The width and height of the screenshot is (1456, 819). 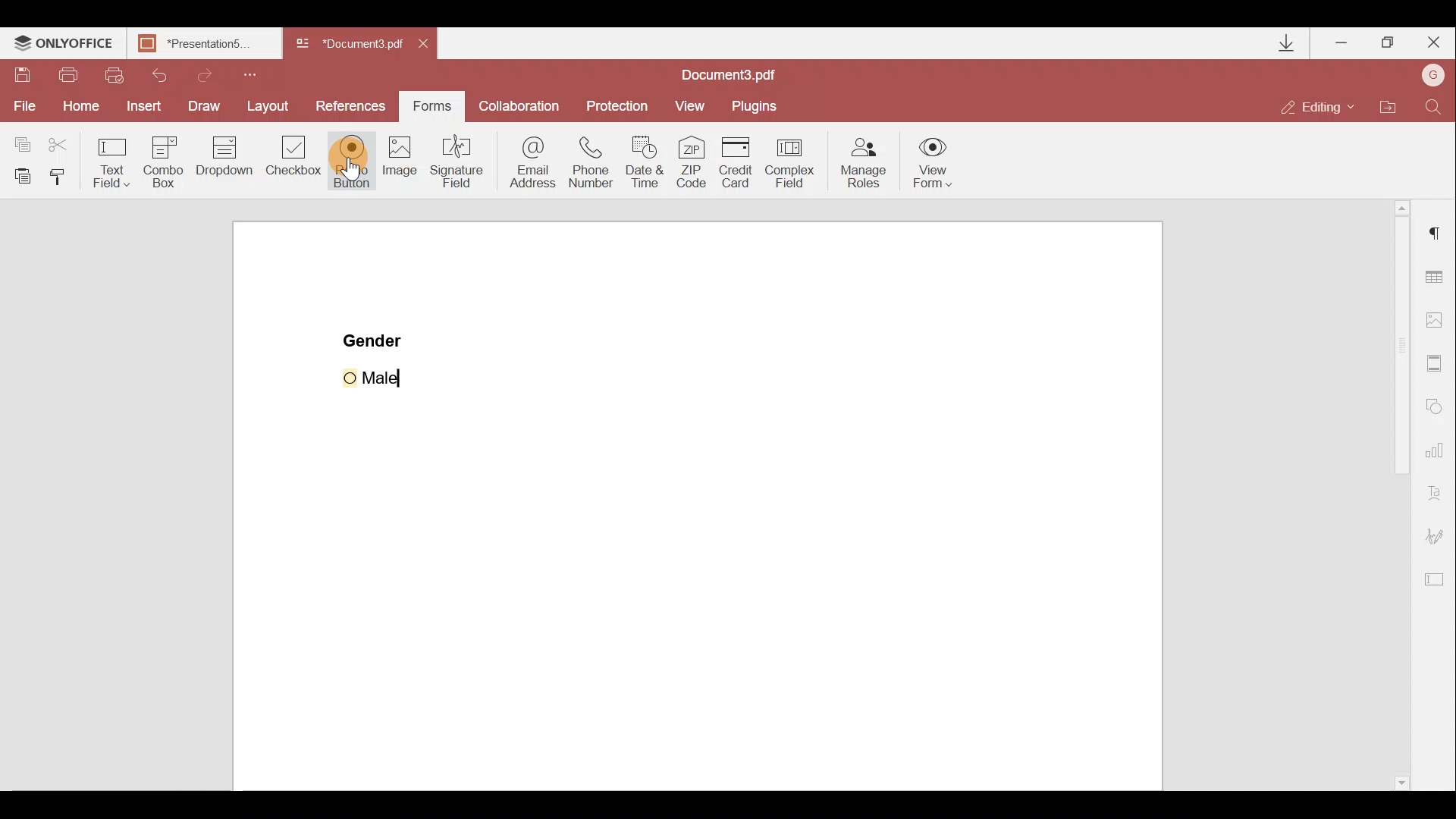 What do you see at coordinates (375, 339) in the screenshot?
I see `Gender` at bounding box center [375, 339].